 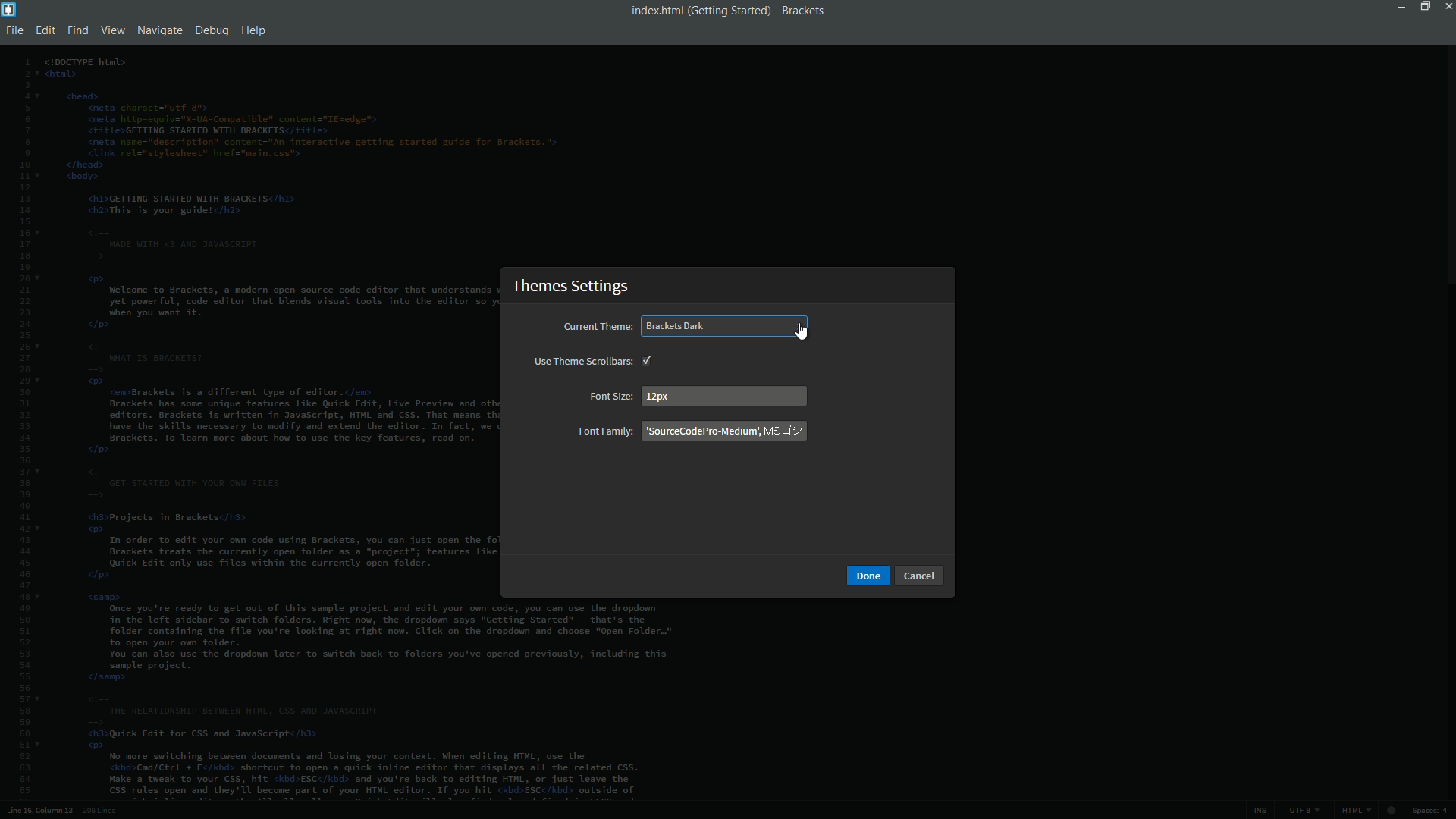 What do you see at coordinates (22, 428) in the screenshot?
I see `line numbers` at bounding box center [22, 428].